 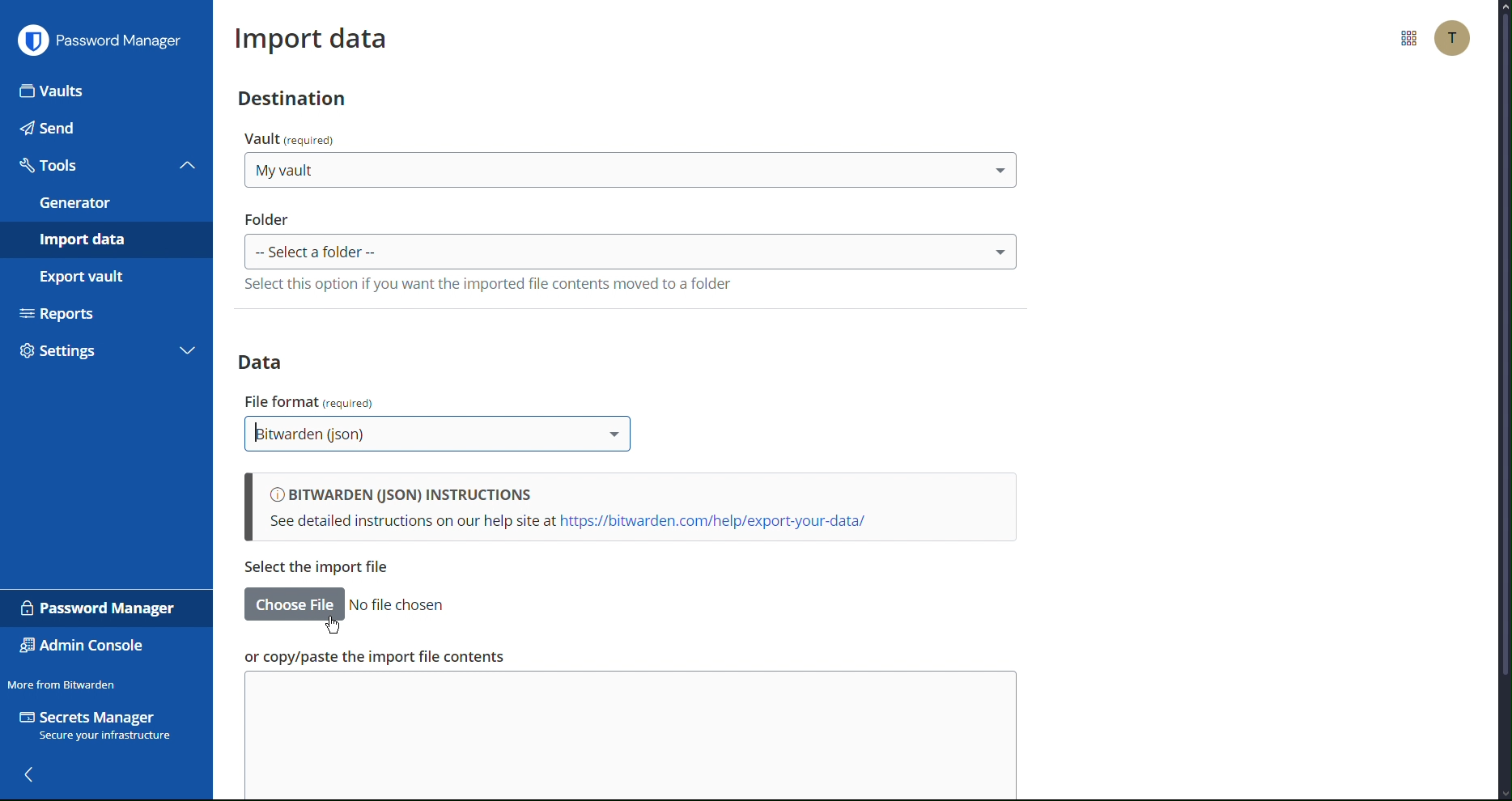 I want to click on or copy/paste the import file contents, so click(x=374, y=658).